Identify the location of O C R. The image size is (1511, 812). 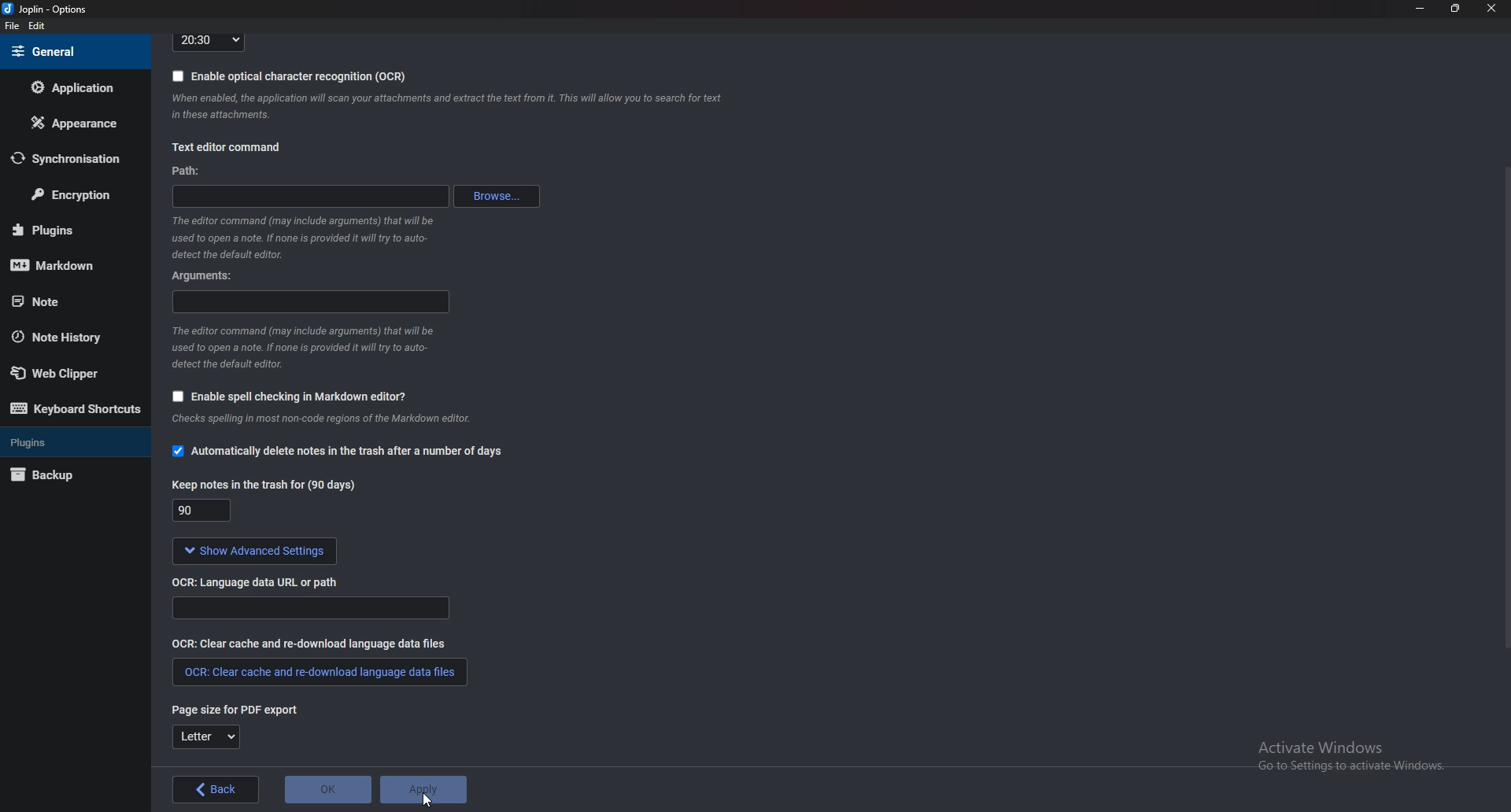
(262, 581).